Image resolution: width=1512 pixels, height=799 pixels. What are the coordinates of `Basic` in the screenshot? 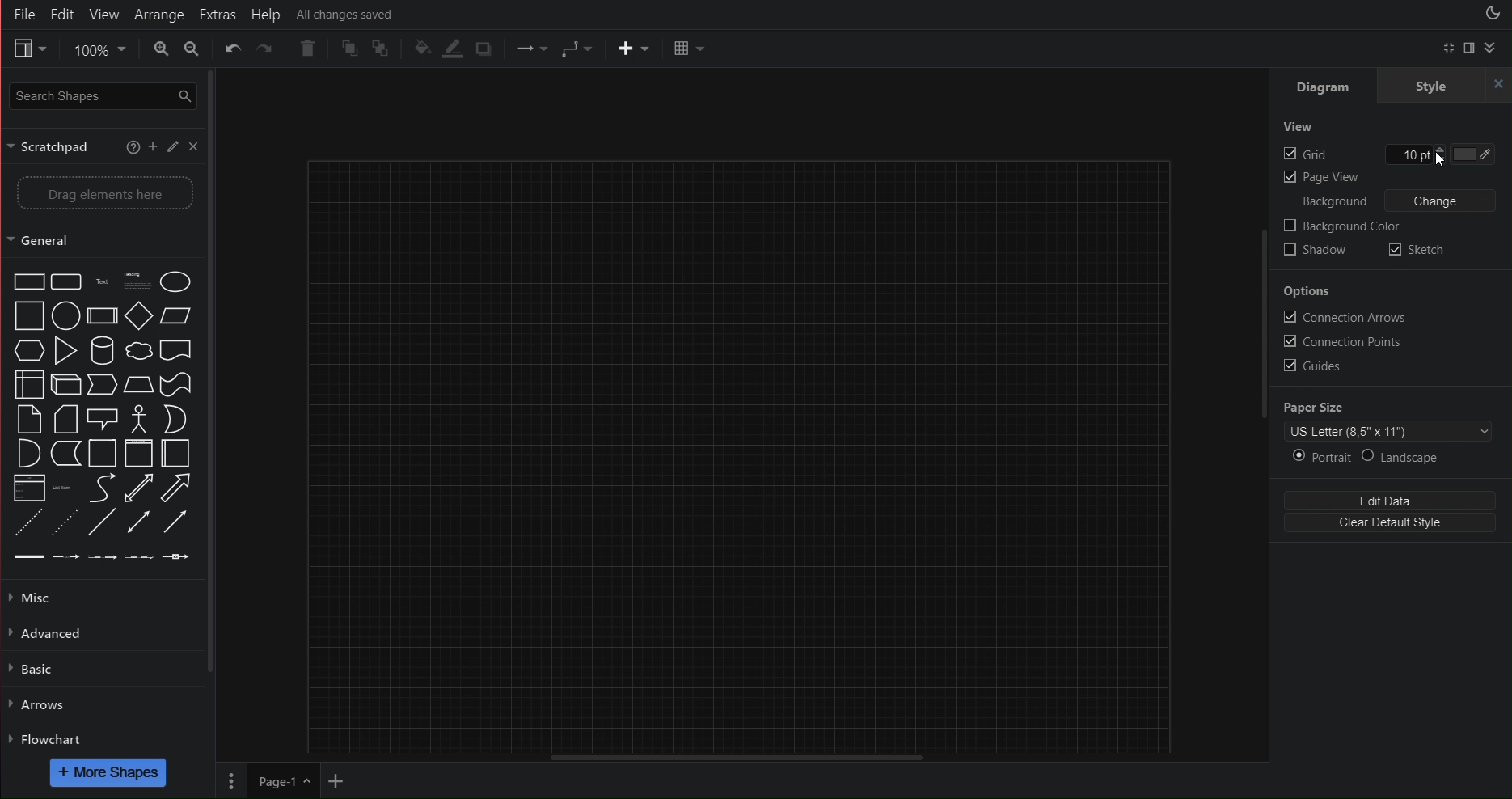 It's located at (35, 668).